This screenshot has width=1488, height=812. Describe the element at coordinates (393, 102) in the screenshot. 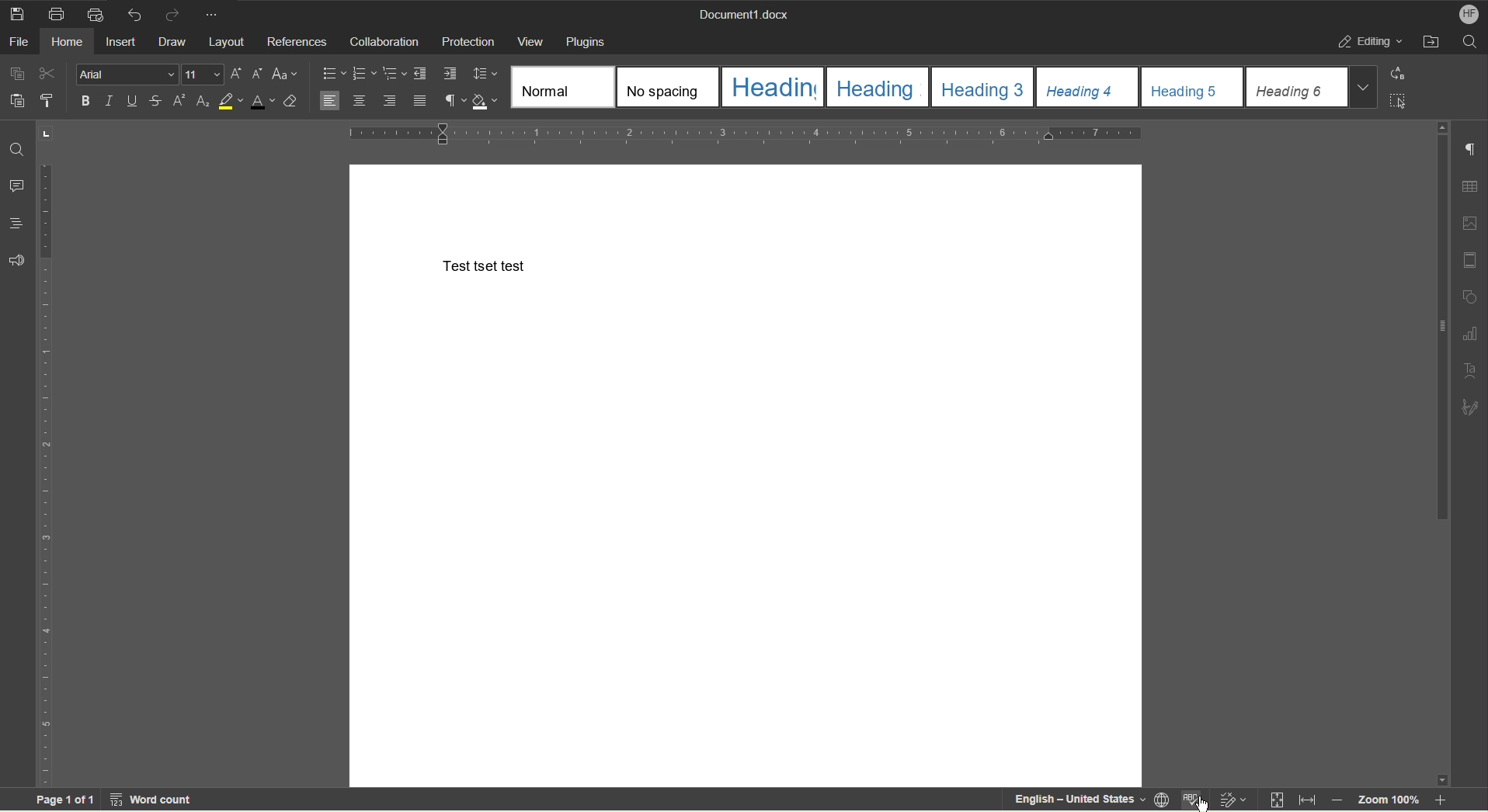

I see `Align Right` at that location.